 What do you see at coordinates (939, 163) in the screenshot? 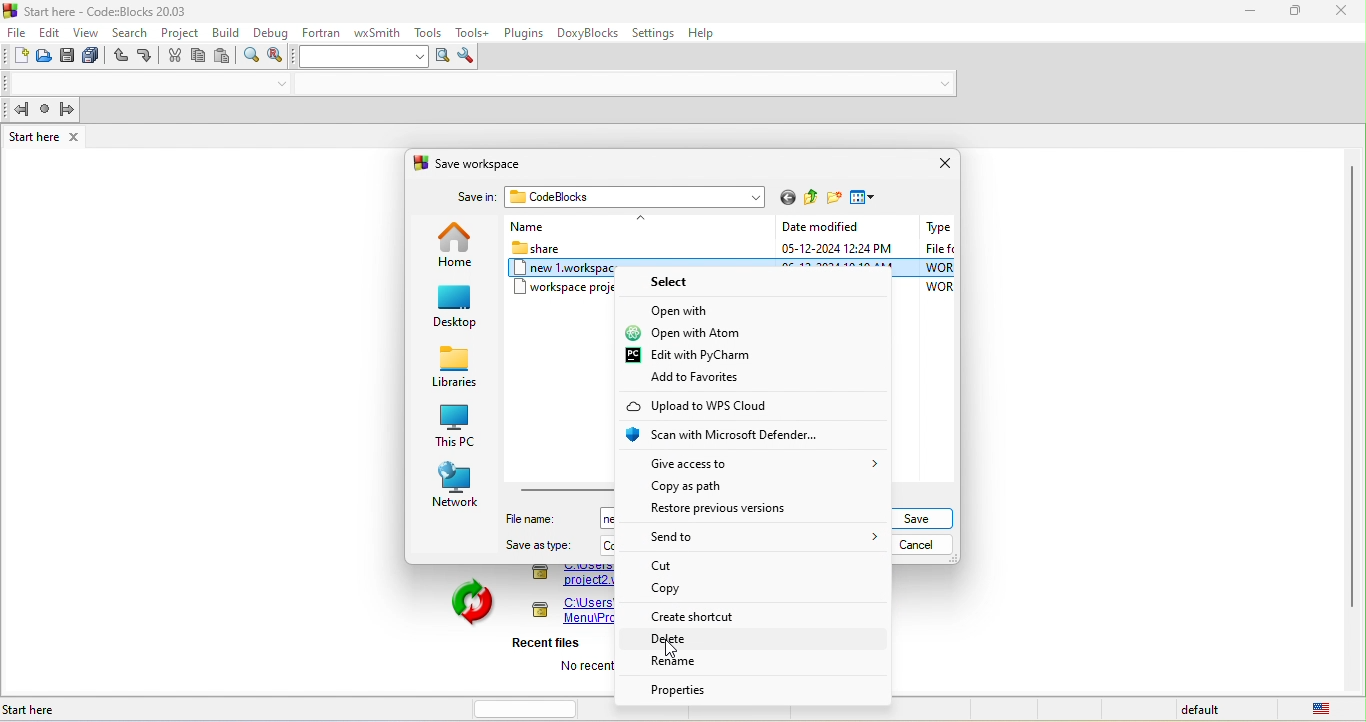
I see `close` at bounding box center [939, 163].